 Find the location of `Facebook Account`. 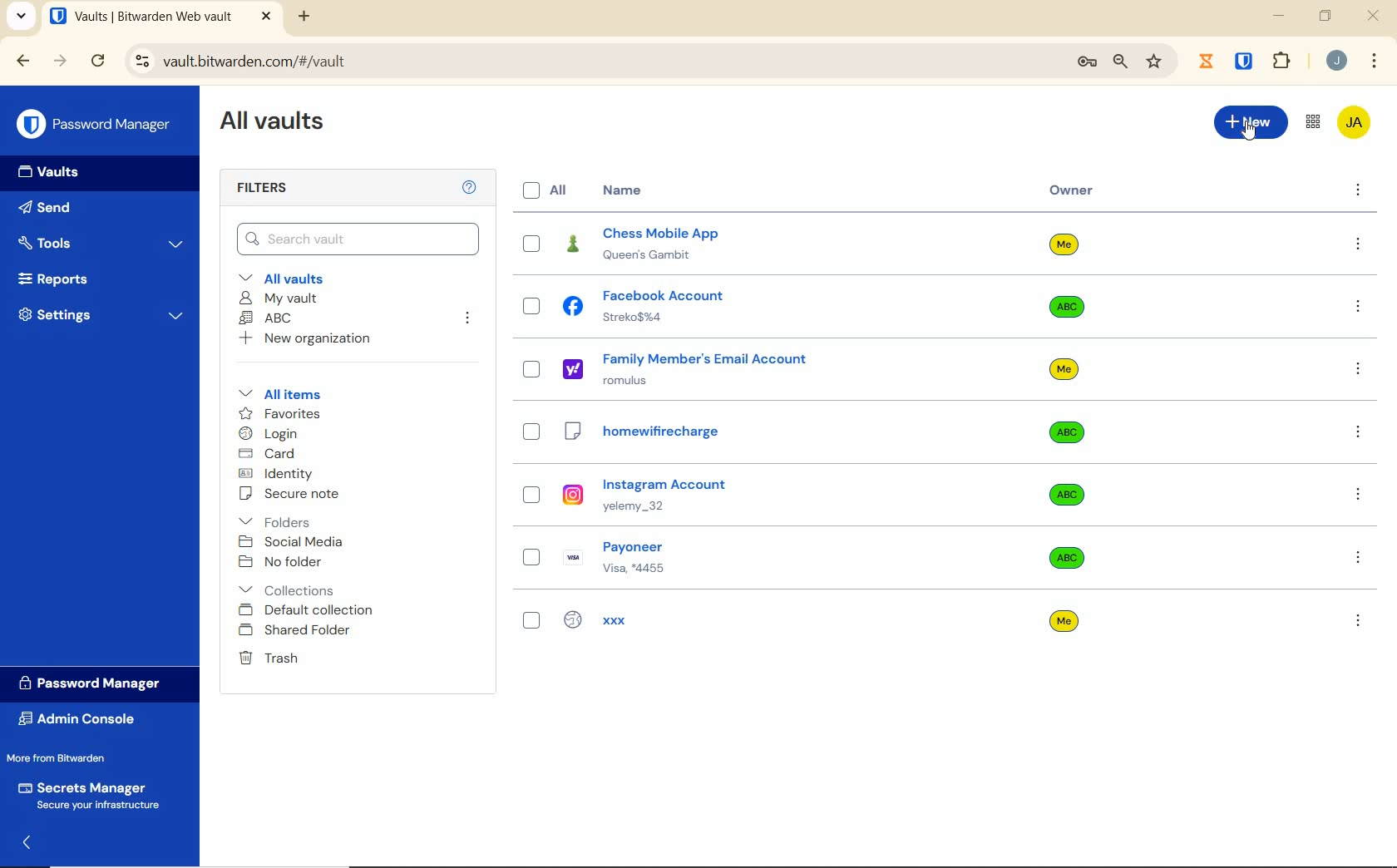

Facebook Account is located at coordinates (659, 306).